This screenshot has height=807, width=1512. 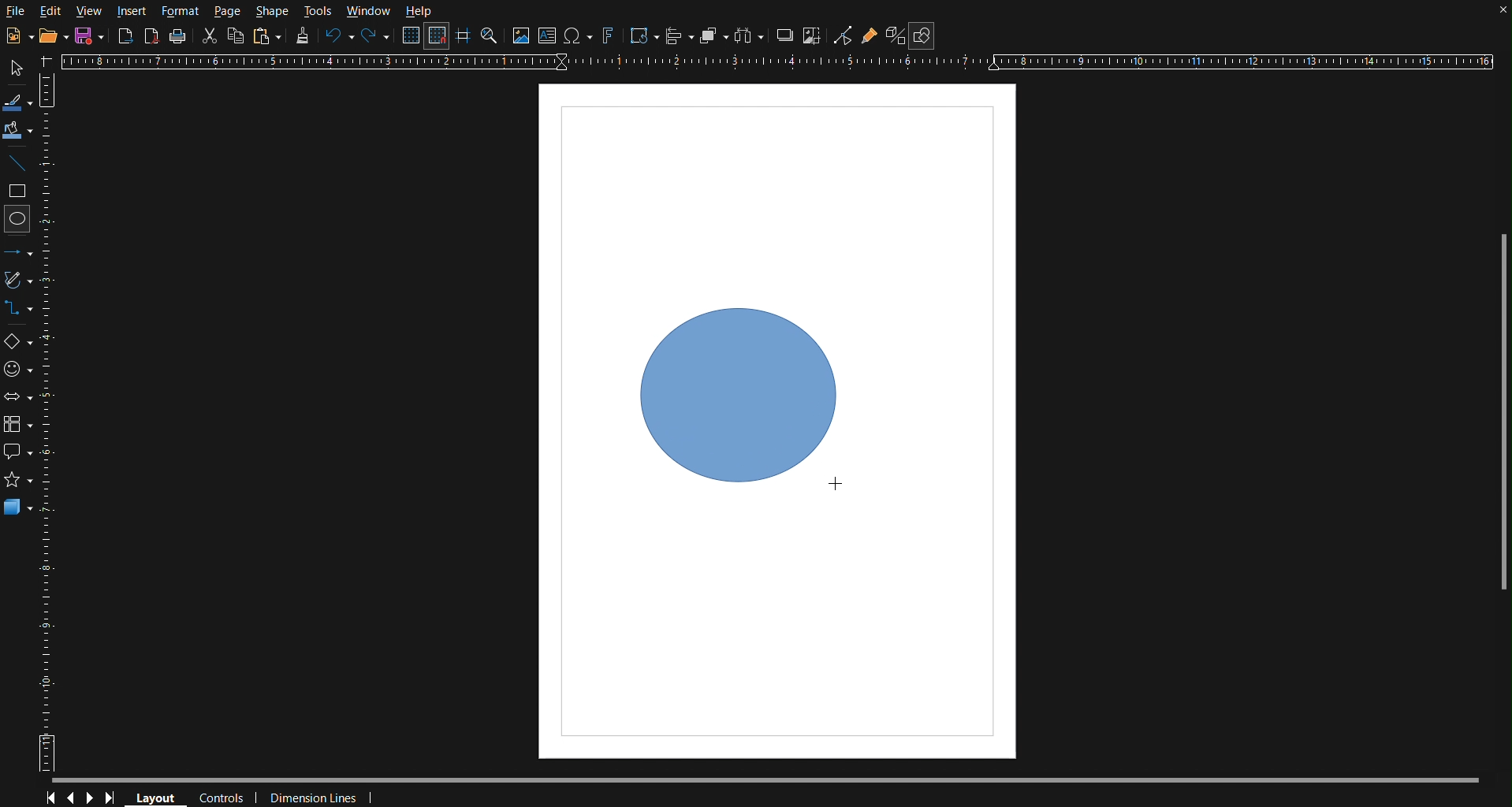 What do you see at coordinates (20, 101) in the screenshot?
I see `Line Color` at bounding box center [20, 101].